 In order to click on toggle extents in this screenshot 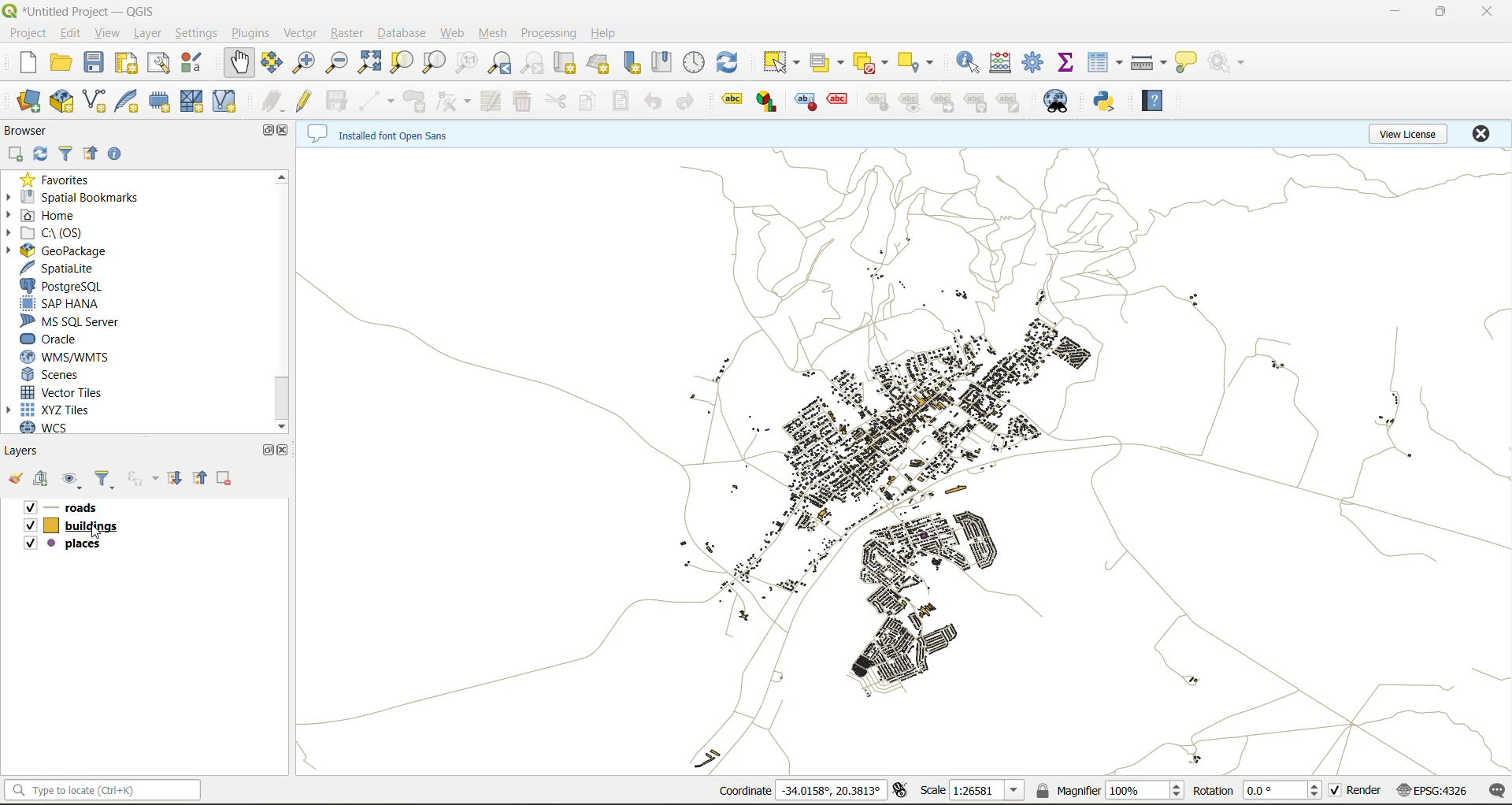, I will do `click(907, 790)`.